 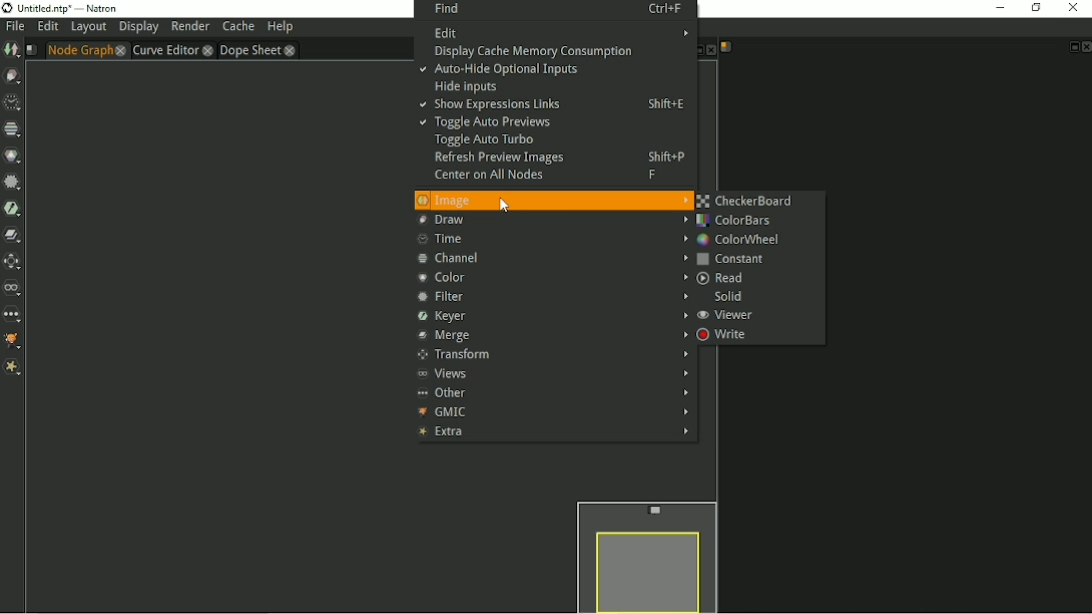 I want to click on Color, so click(x=547, y=277).